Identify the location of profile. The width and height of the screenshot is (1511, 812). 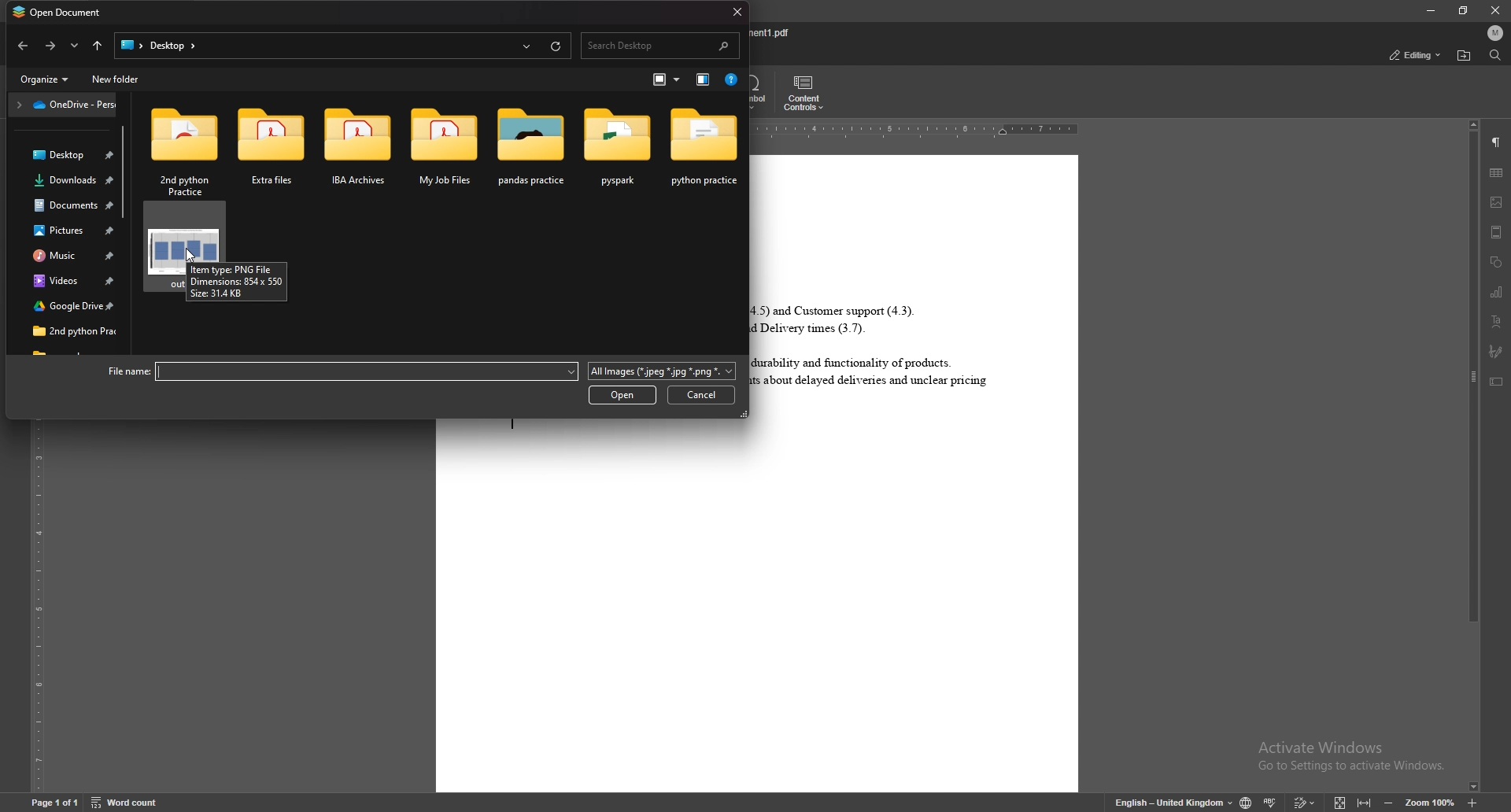
(1495, 32).